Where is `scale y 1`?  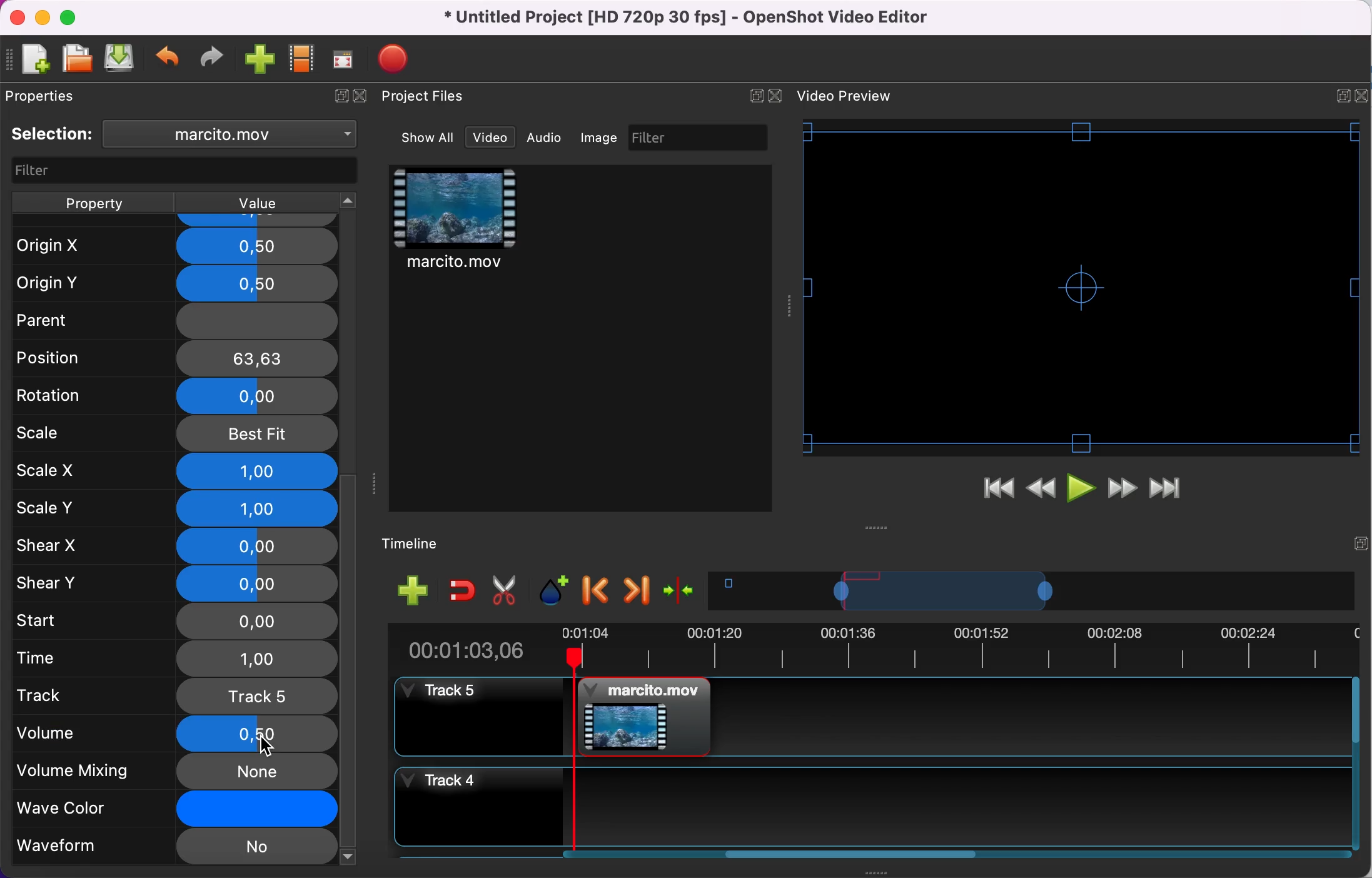
scale y 1 is located at coordinates (180, 510).